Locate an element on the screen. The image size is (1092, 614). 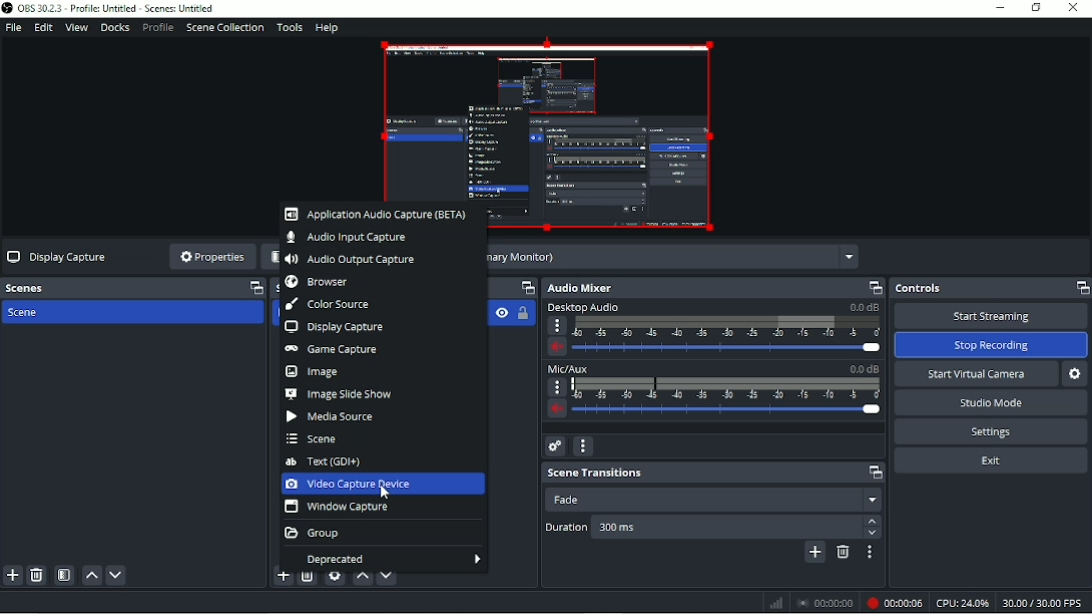
Add configurable transition is located at coordinates (814, 553).